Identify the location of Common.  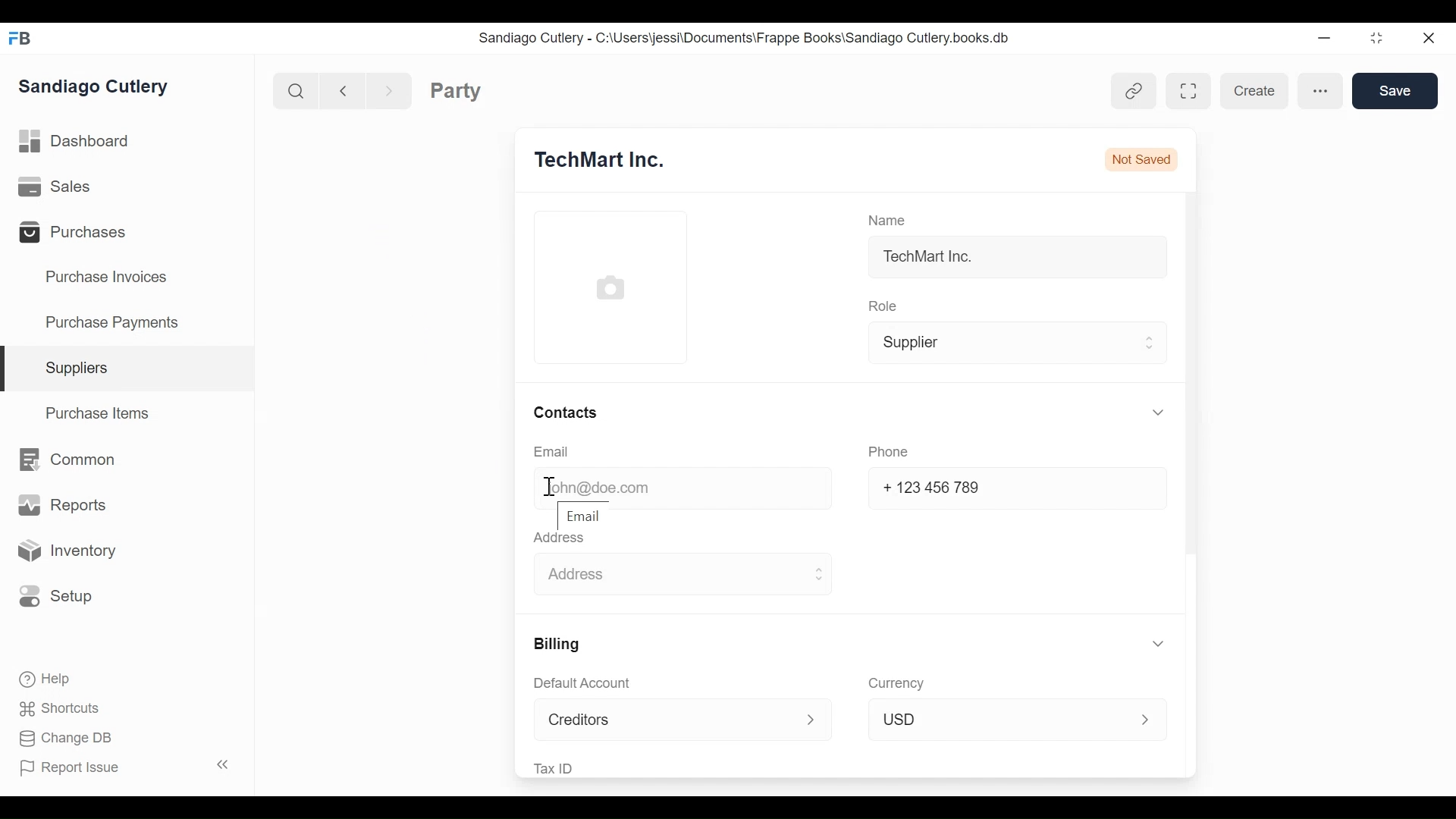
(77, 462).